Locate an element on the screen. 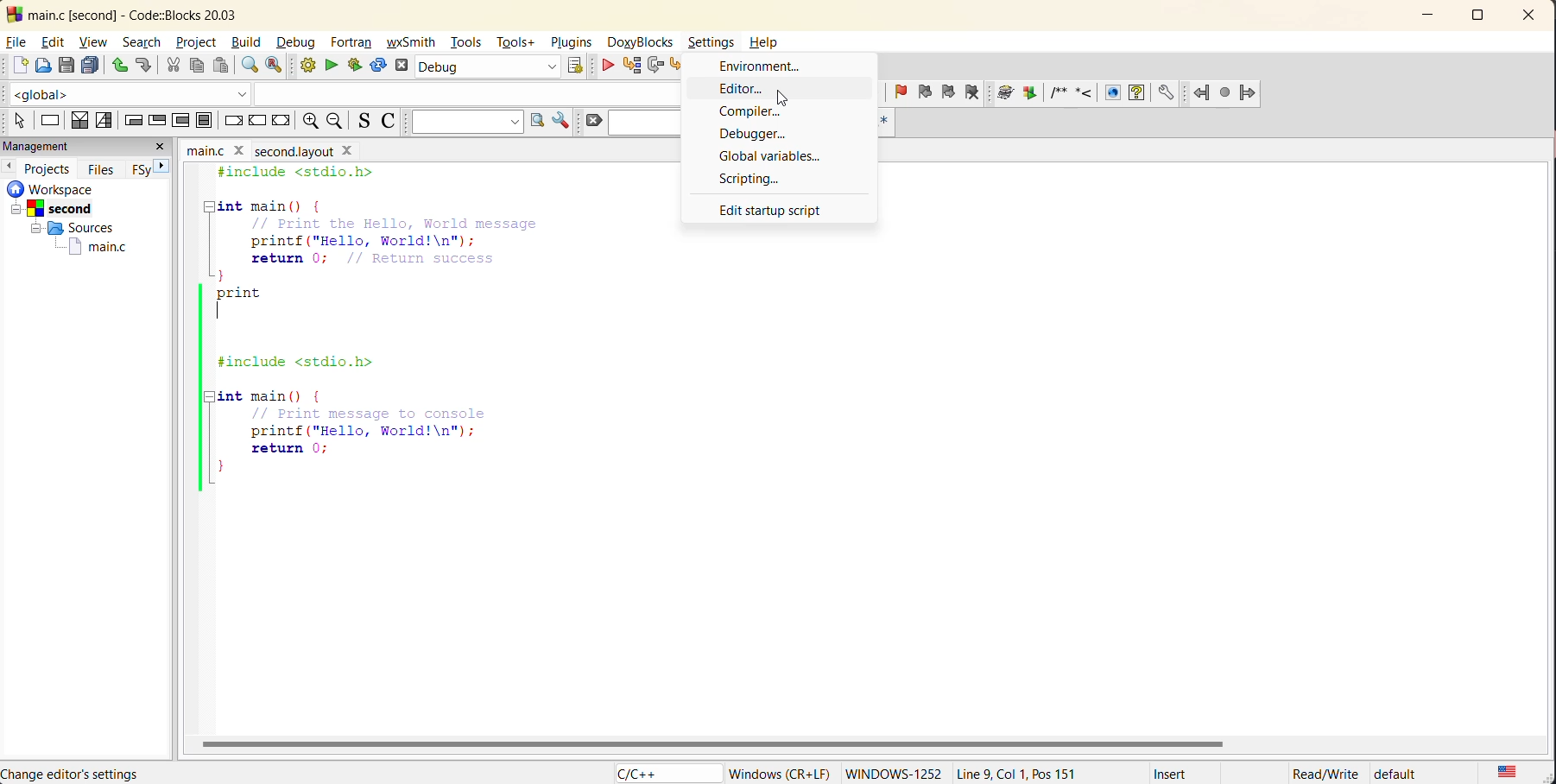 Image resolution: width=1556 pixels, height=784 pixels. rebuild is located at coordinates (376, 66).